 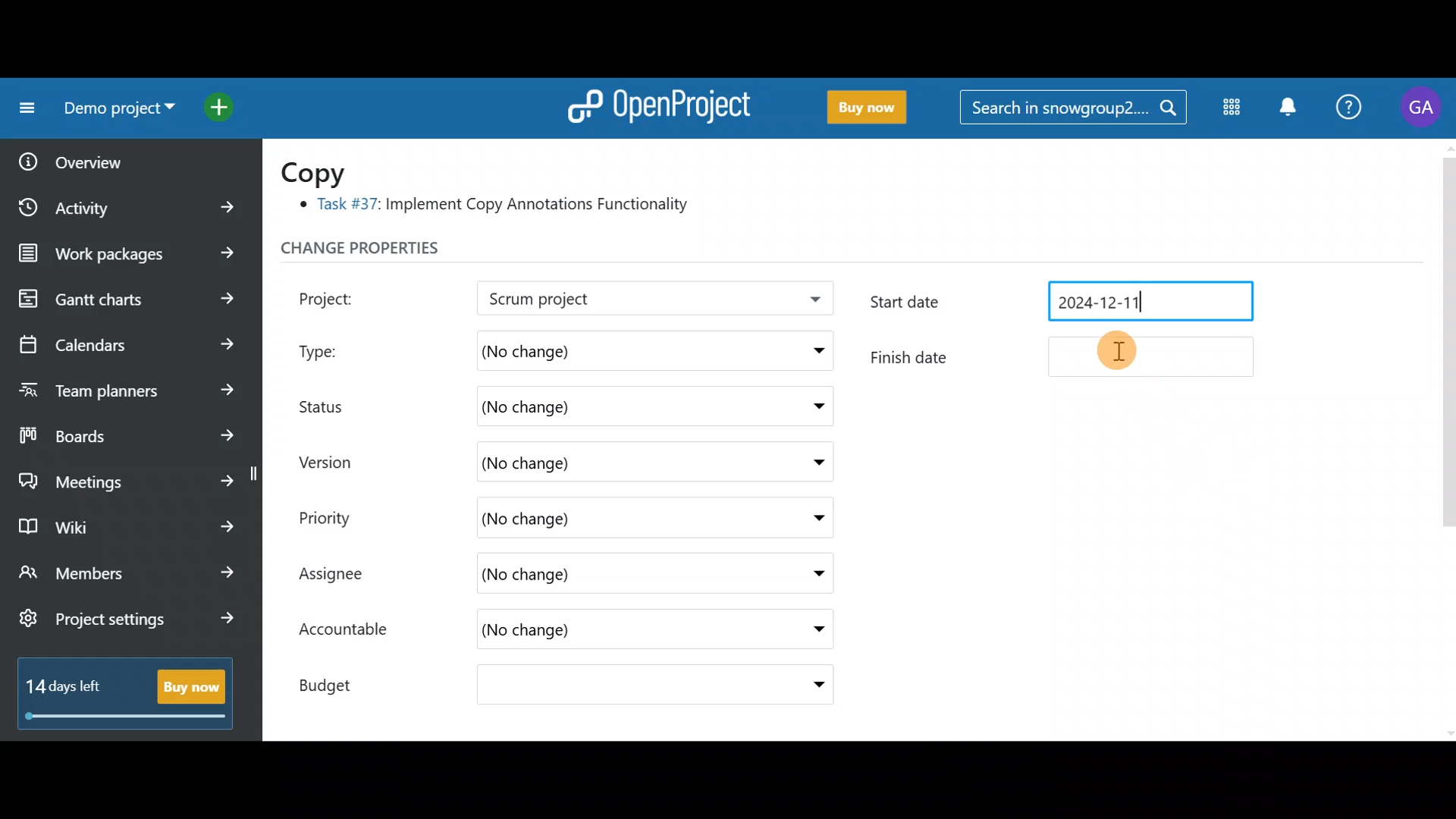 I want to click on Version drop down, so click(x=811, y=461).